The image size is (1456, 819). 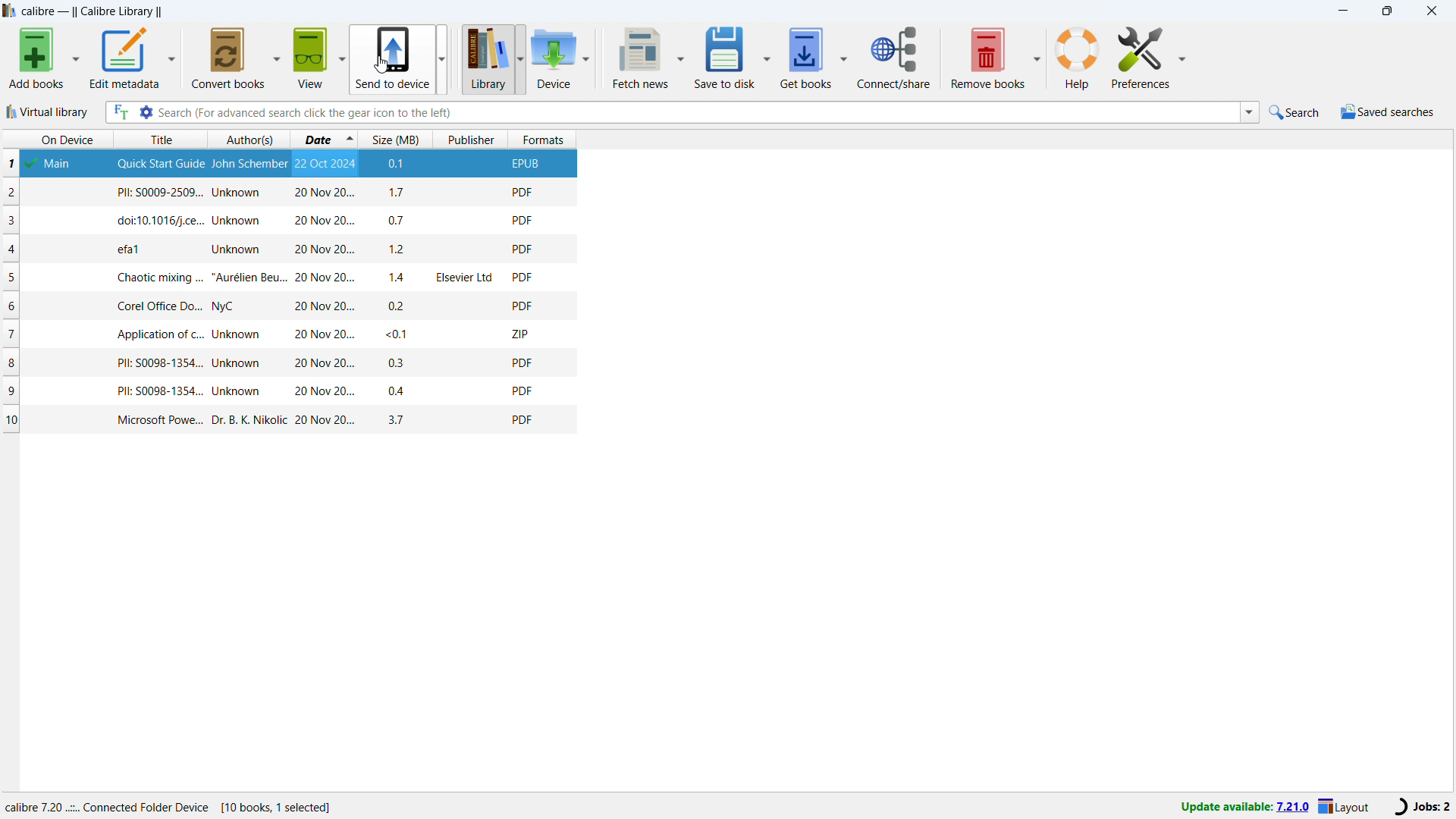 What do you see at coordinates (1038, 56) in the screenshot?
I see `remove books options` at bounding box center [1038, 56].